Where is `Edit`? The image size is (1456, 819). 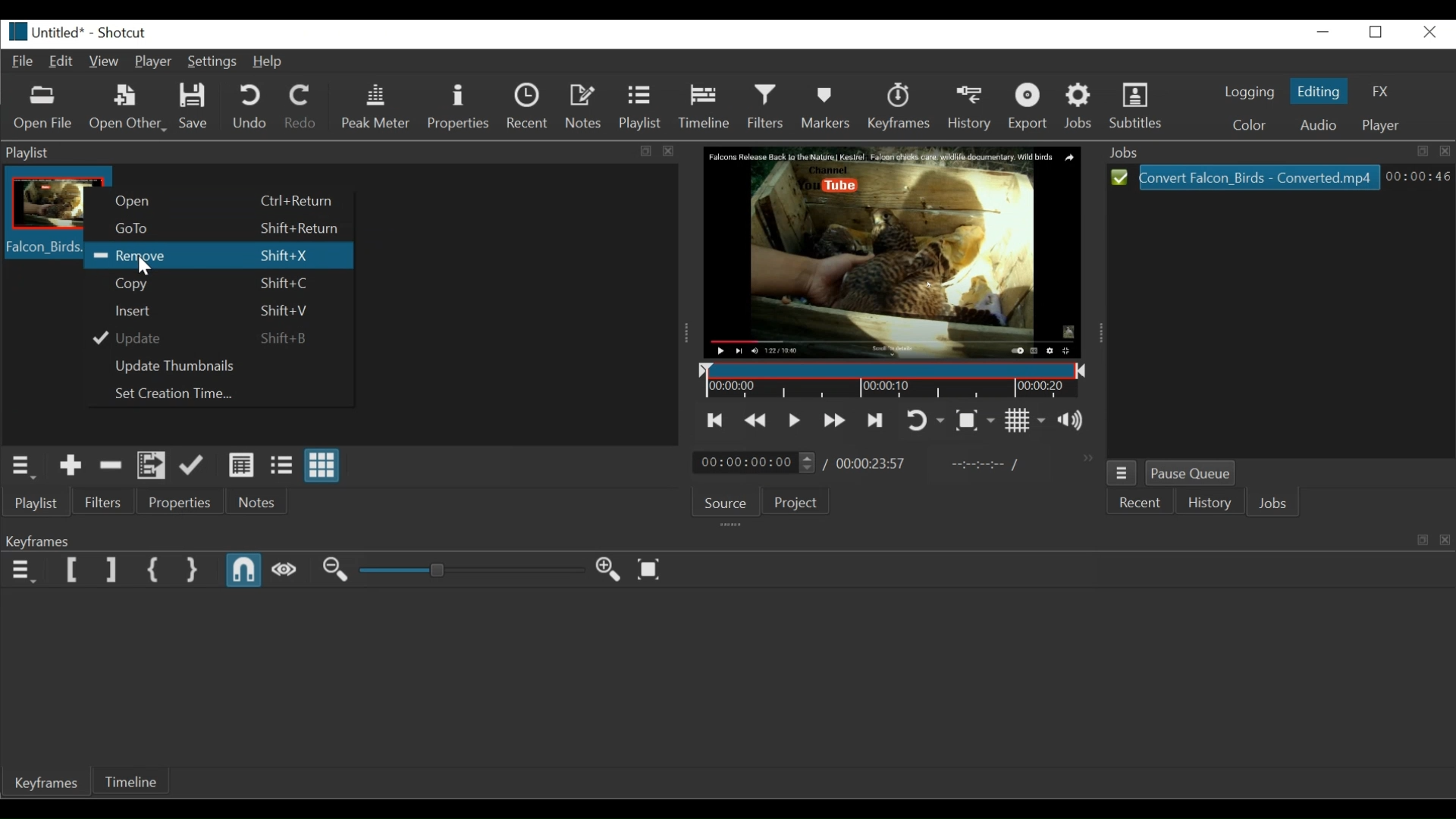
Edit is located at coordinates (62, 61).